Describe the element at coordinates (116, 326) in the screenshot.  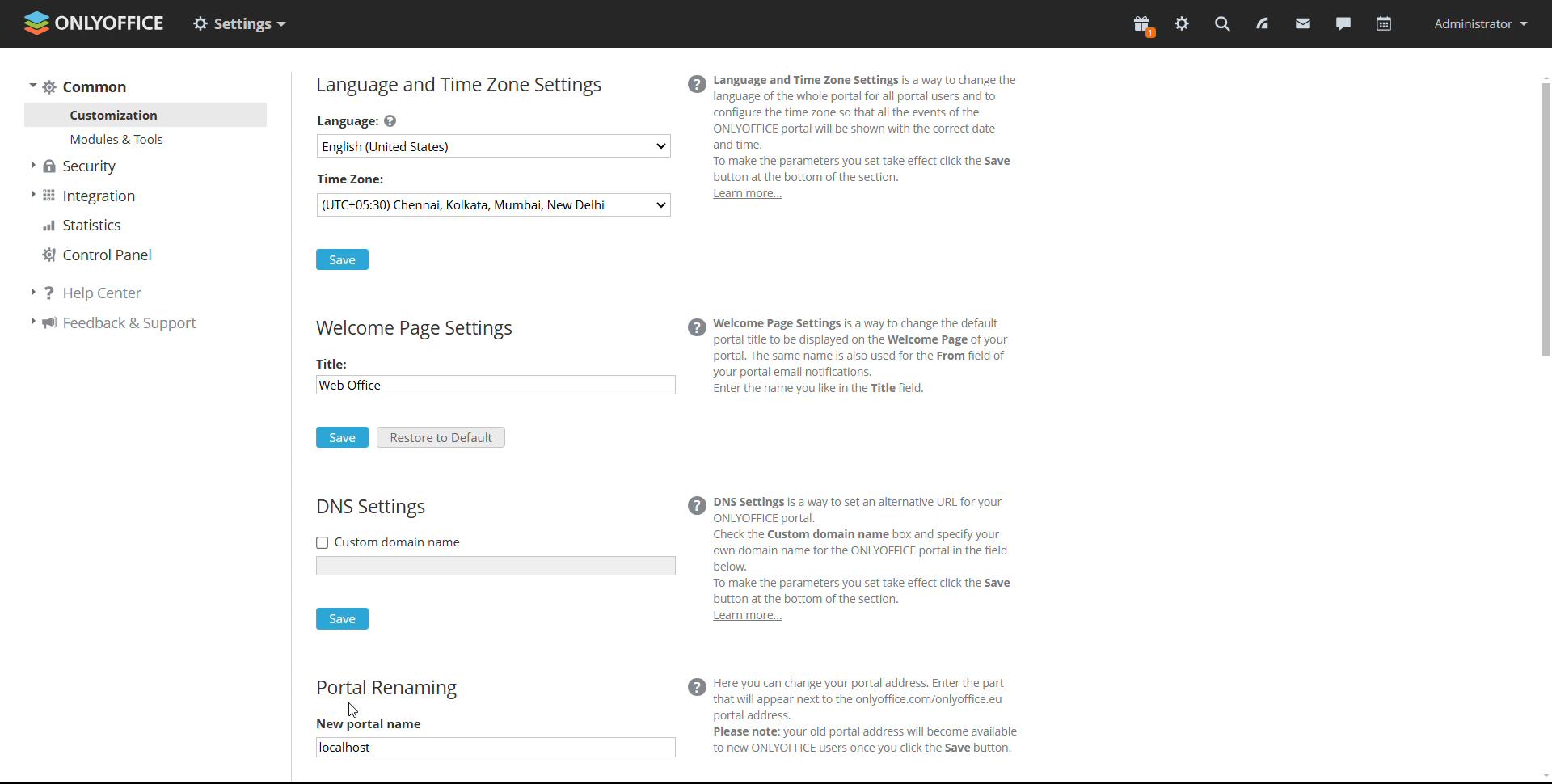
I see `feedback support` at that location.